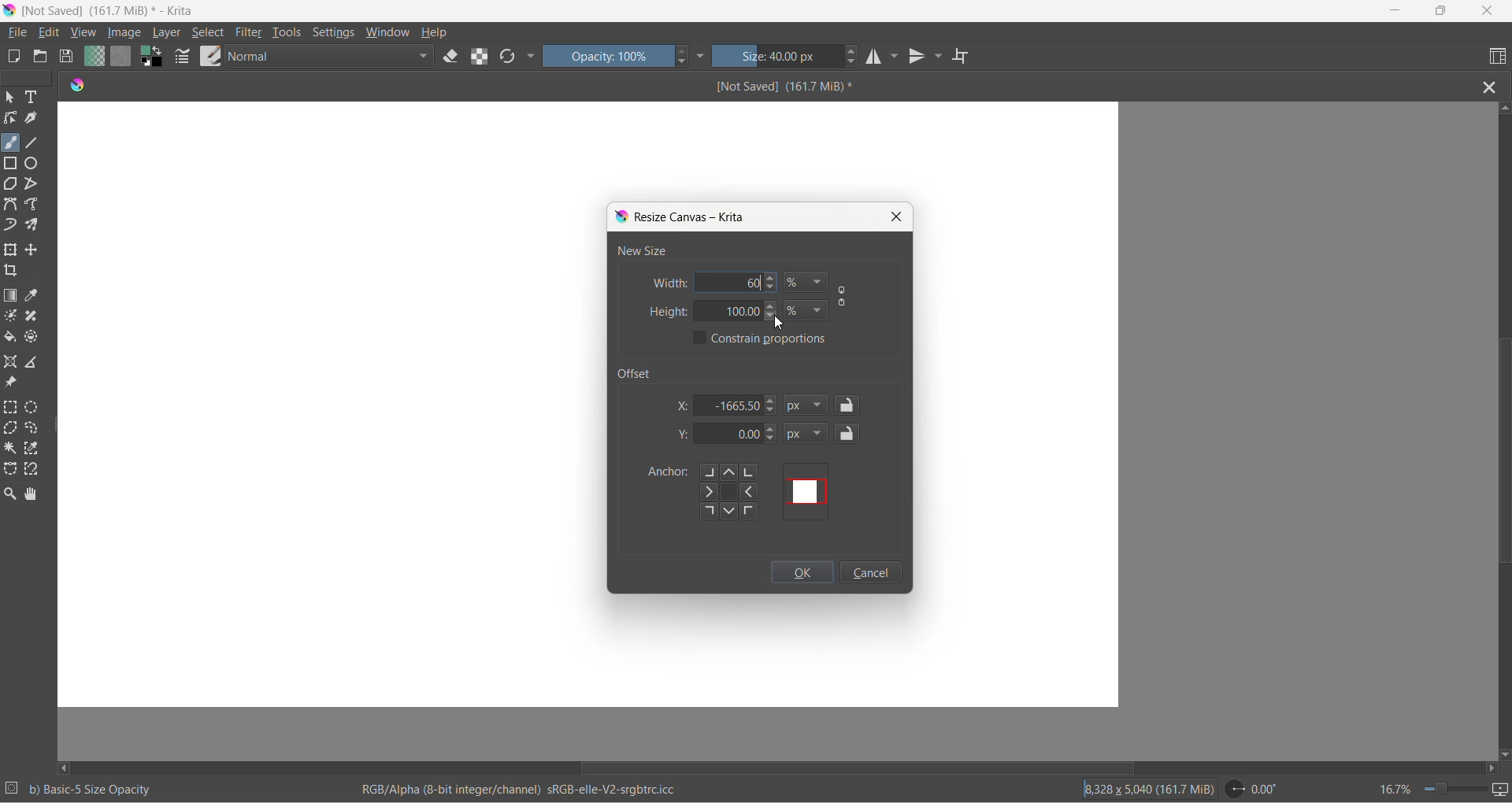  I want to click on Cursor on image, so click(129, 33).